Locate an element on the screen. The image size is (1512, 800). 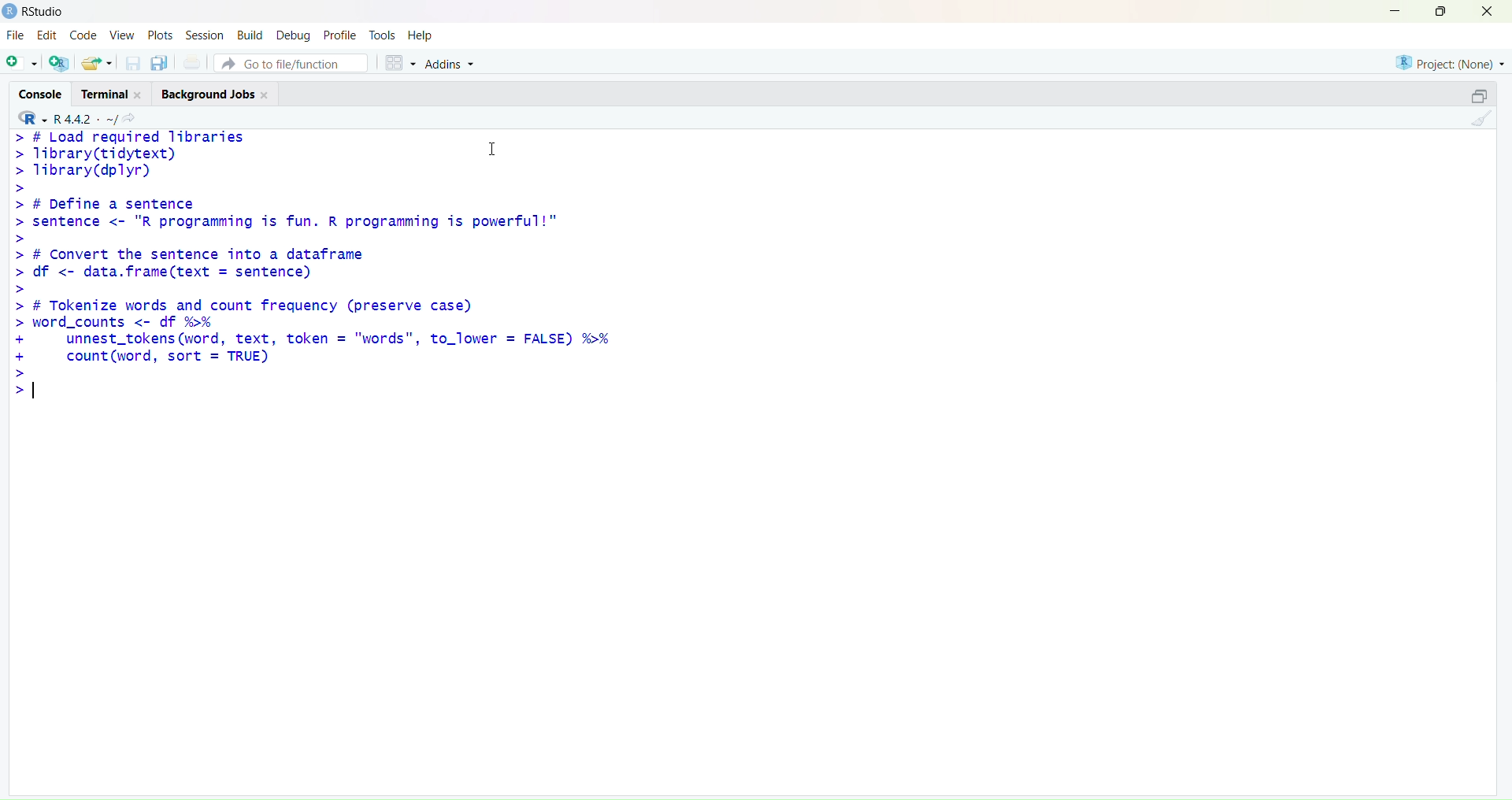
profile is located at coordinates (339, 36).